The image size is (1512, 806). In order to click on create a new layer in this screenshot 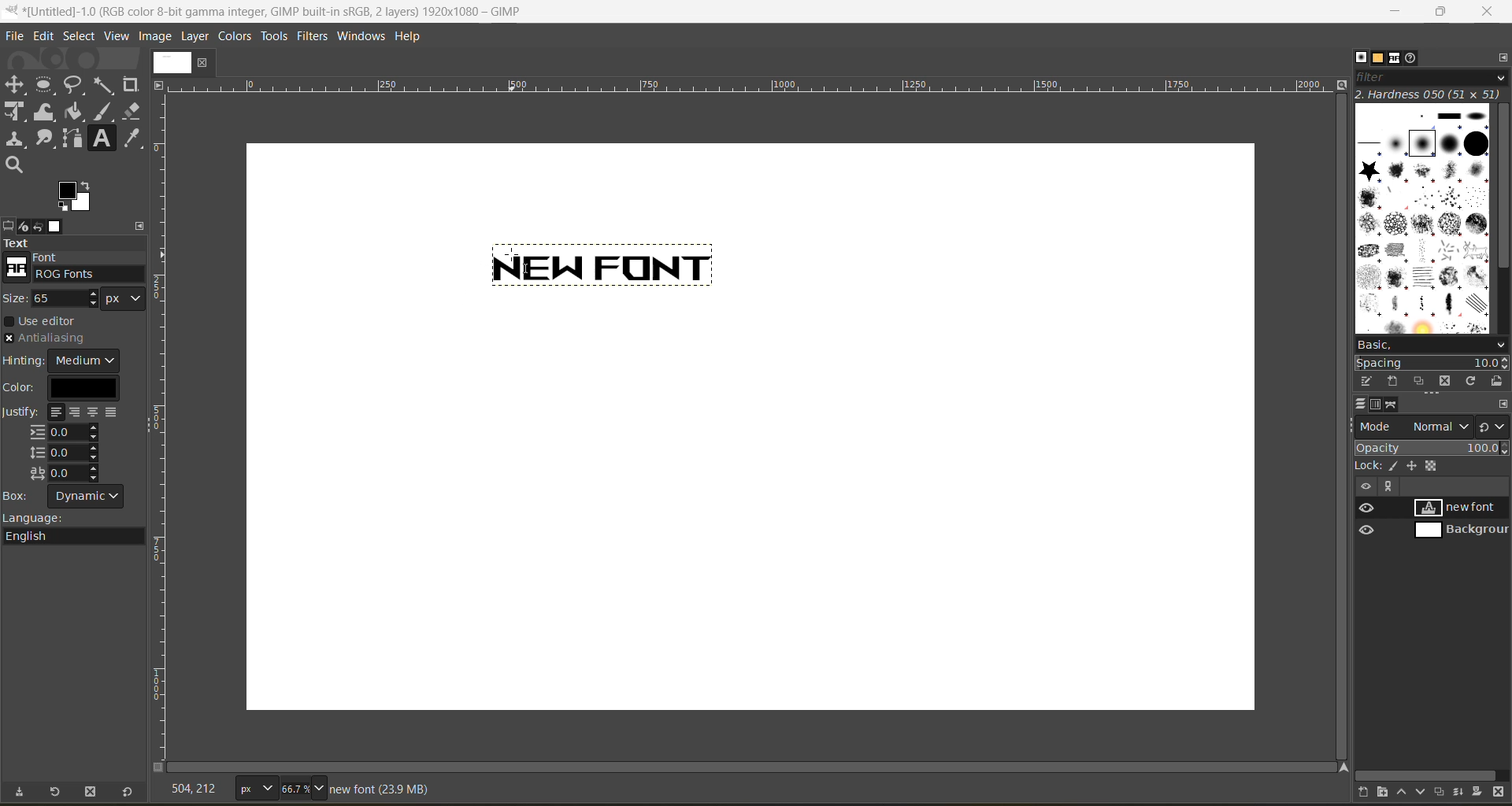, I will do `click(1364, 790)`.